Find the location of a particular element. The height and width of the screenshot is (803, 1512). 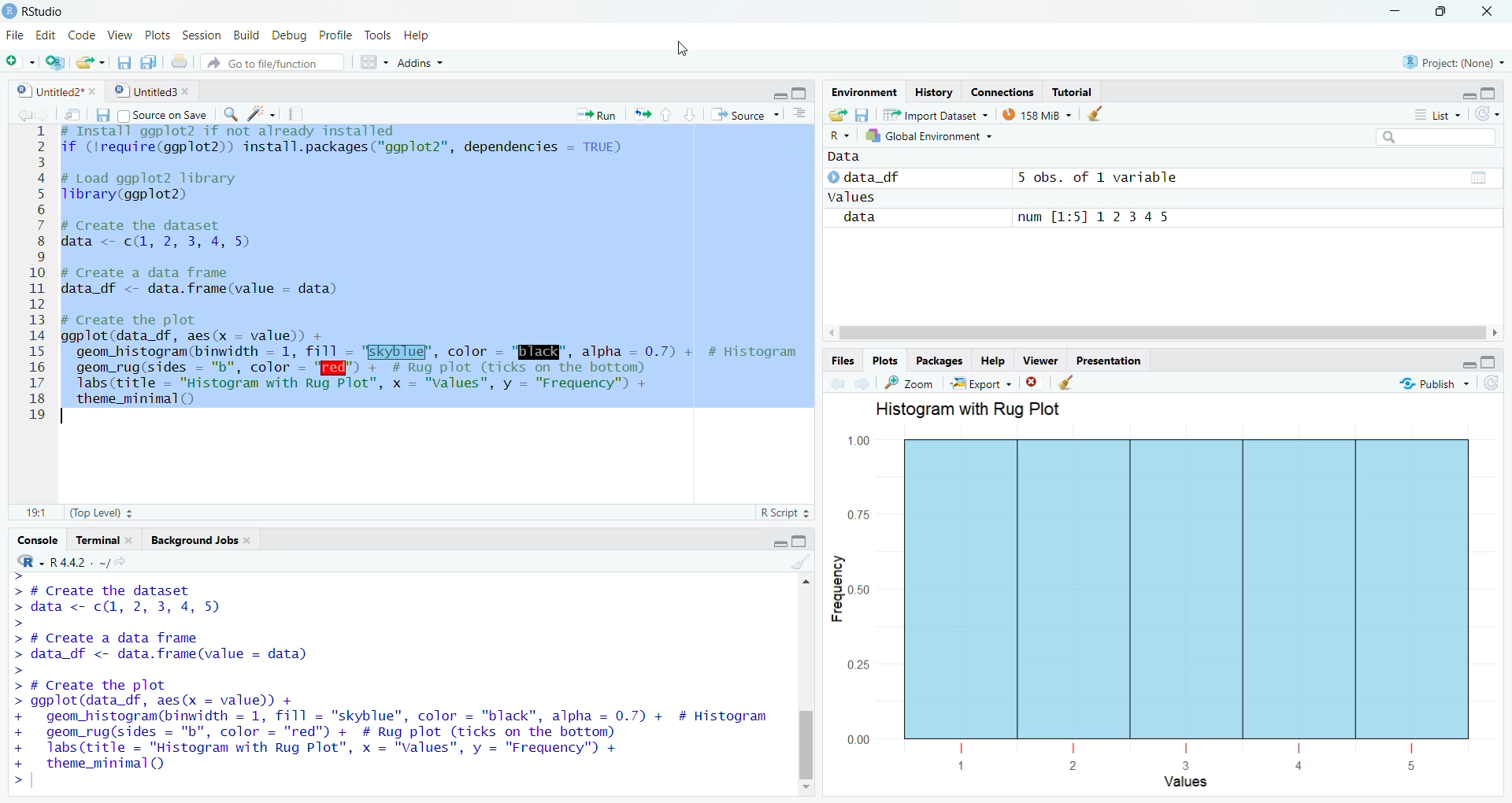

Clear environment is located at coordinates (1099, 113).